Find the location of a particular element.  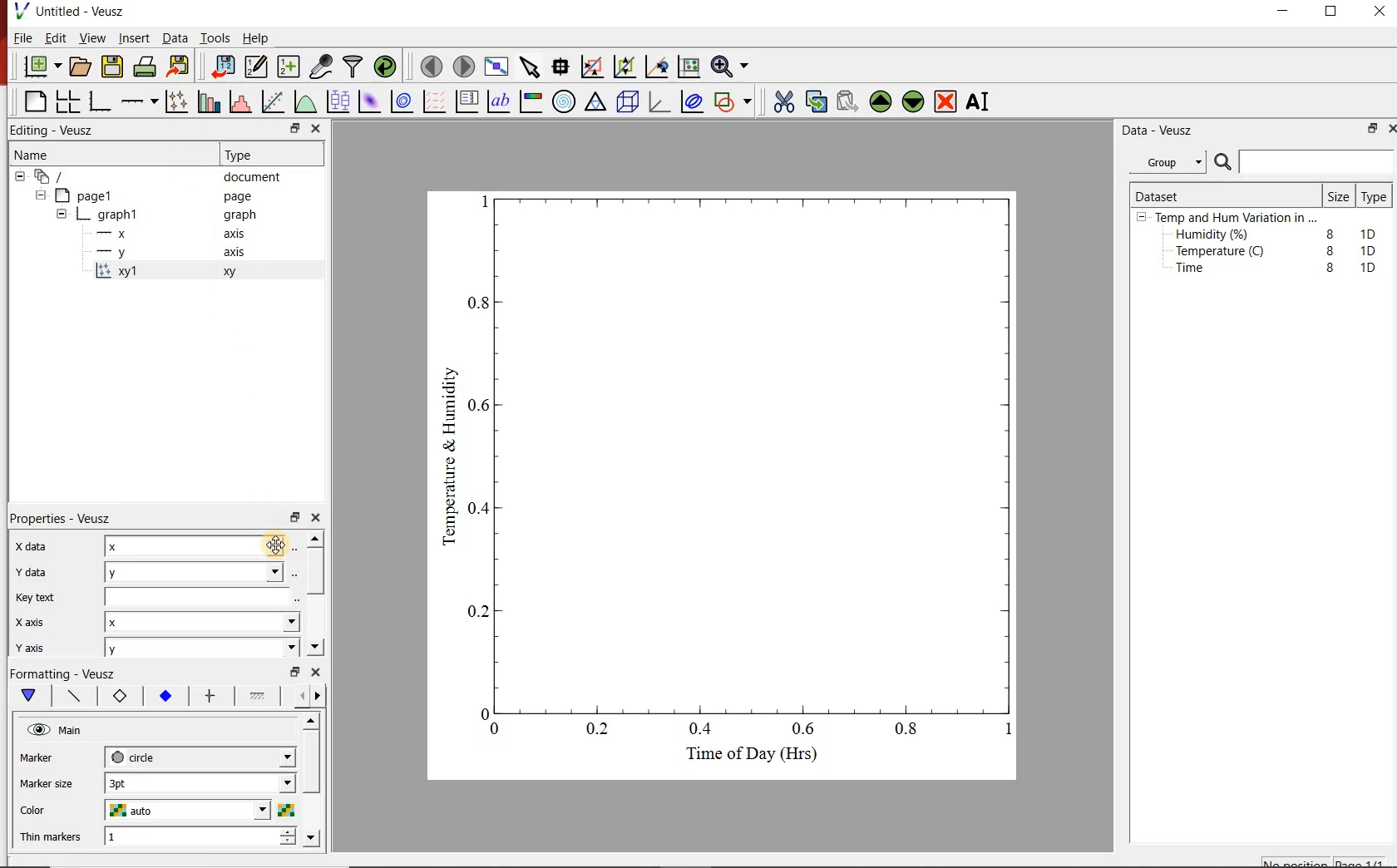

move to the previous page is located at coordinates (430, 67).